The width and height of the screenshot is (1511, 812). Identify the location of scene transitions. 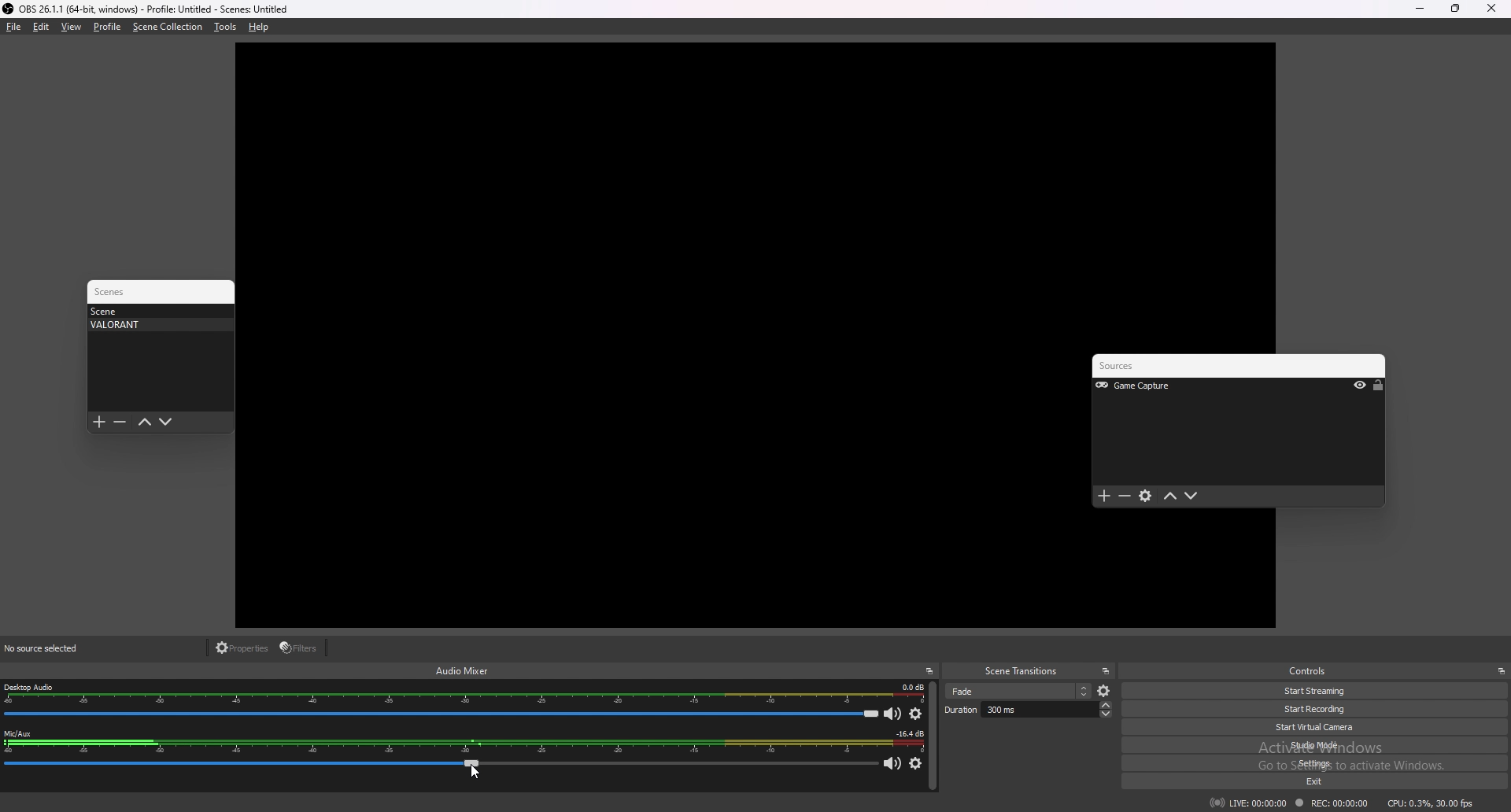
(1021, 672).